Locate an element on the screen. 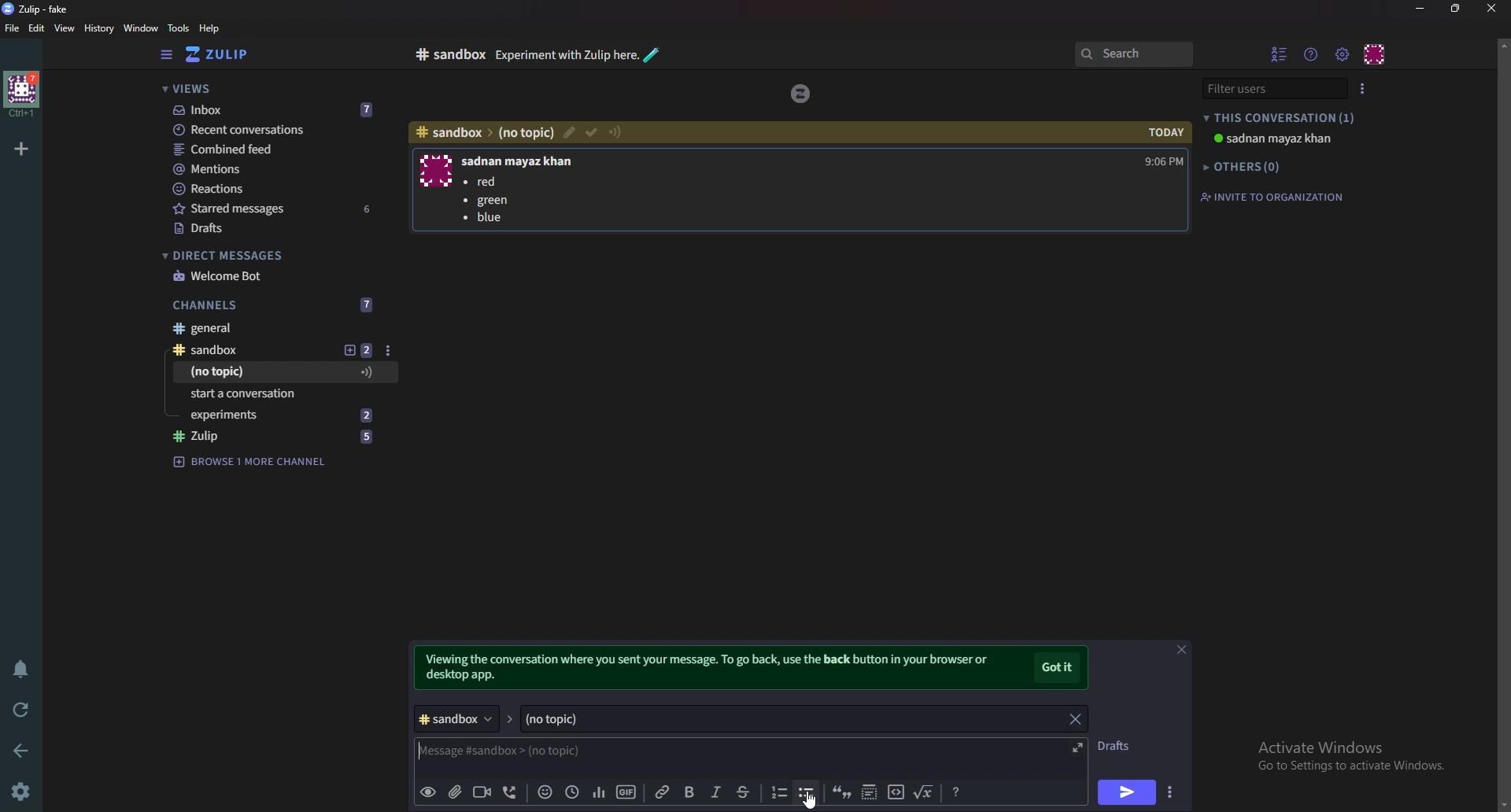  Global time is located at coordinates (571, 792).